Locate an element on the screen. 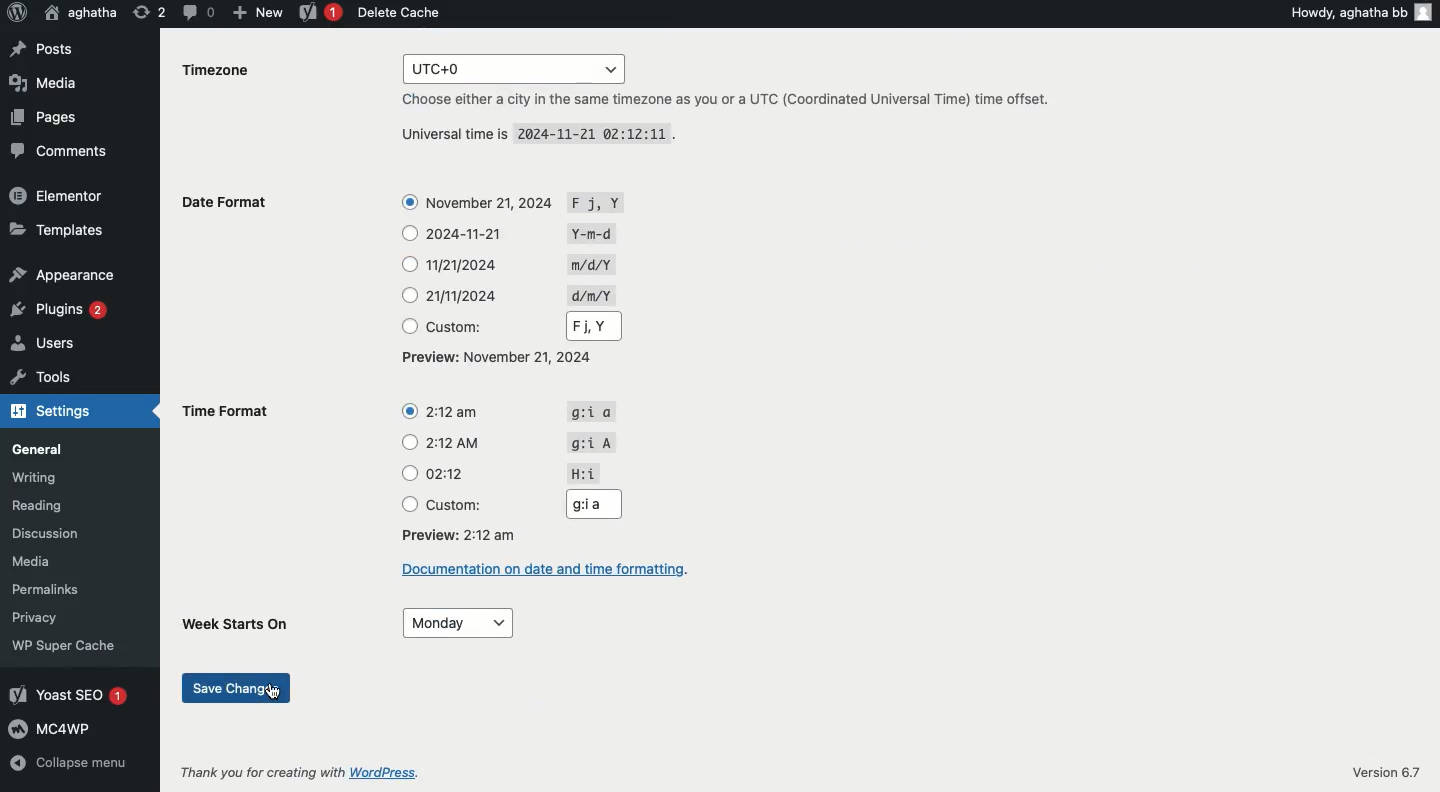 This screenshot has width=1440, height=792. Week starts on is located at coordinates (240, 623).